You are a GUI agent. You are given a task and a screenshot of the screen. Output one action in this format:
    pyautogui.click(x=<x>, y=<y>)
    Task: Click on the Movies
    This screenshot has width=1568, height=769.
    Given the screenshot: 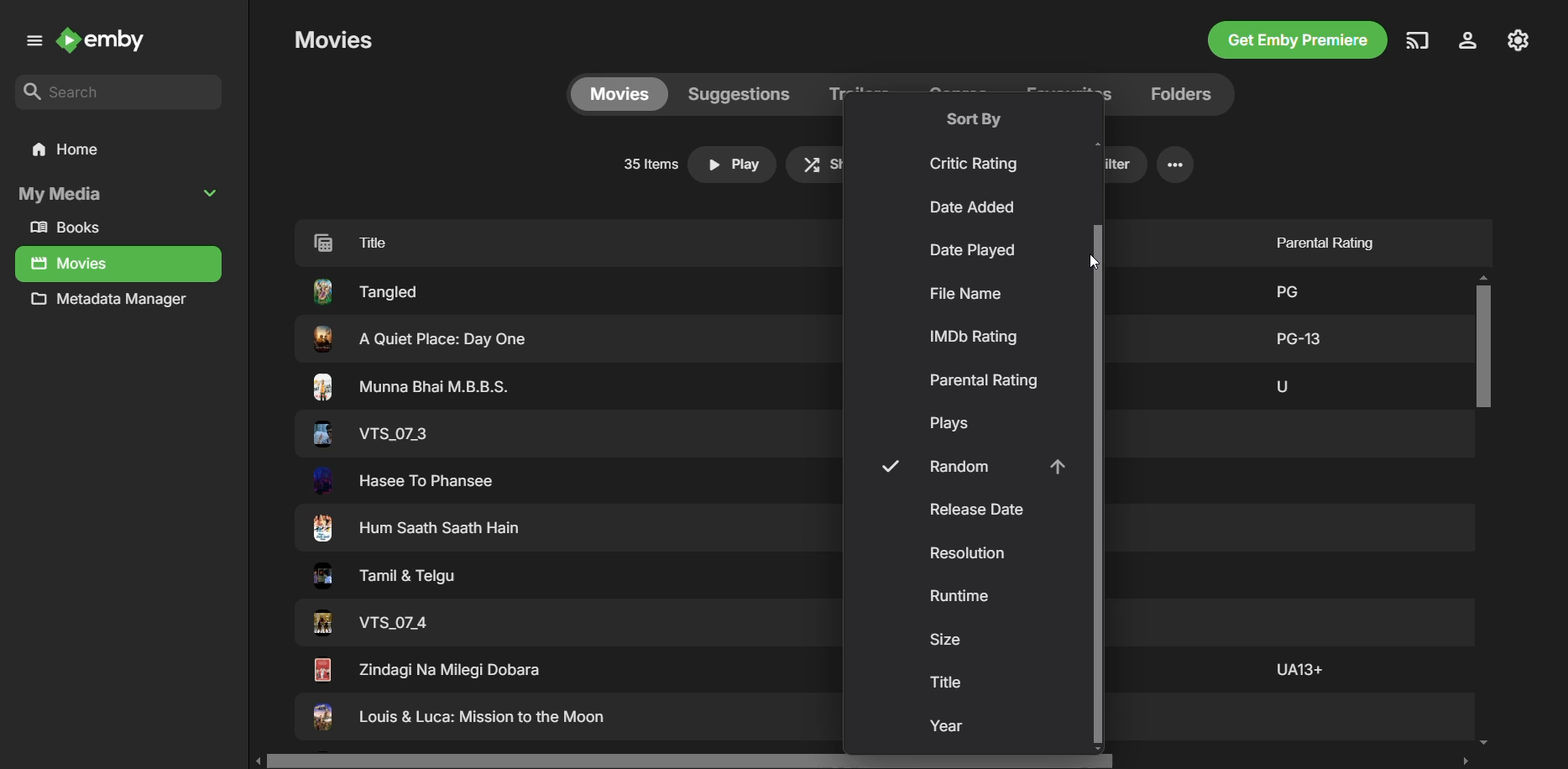 What is the action you would take?
    pyautogui.click(x=618, y=93)
    